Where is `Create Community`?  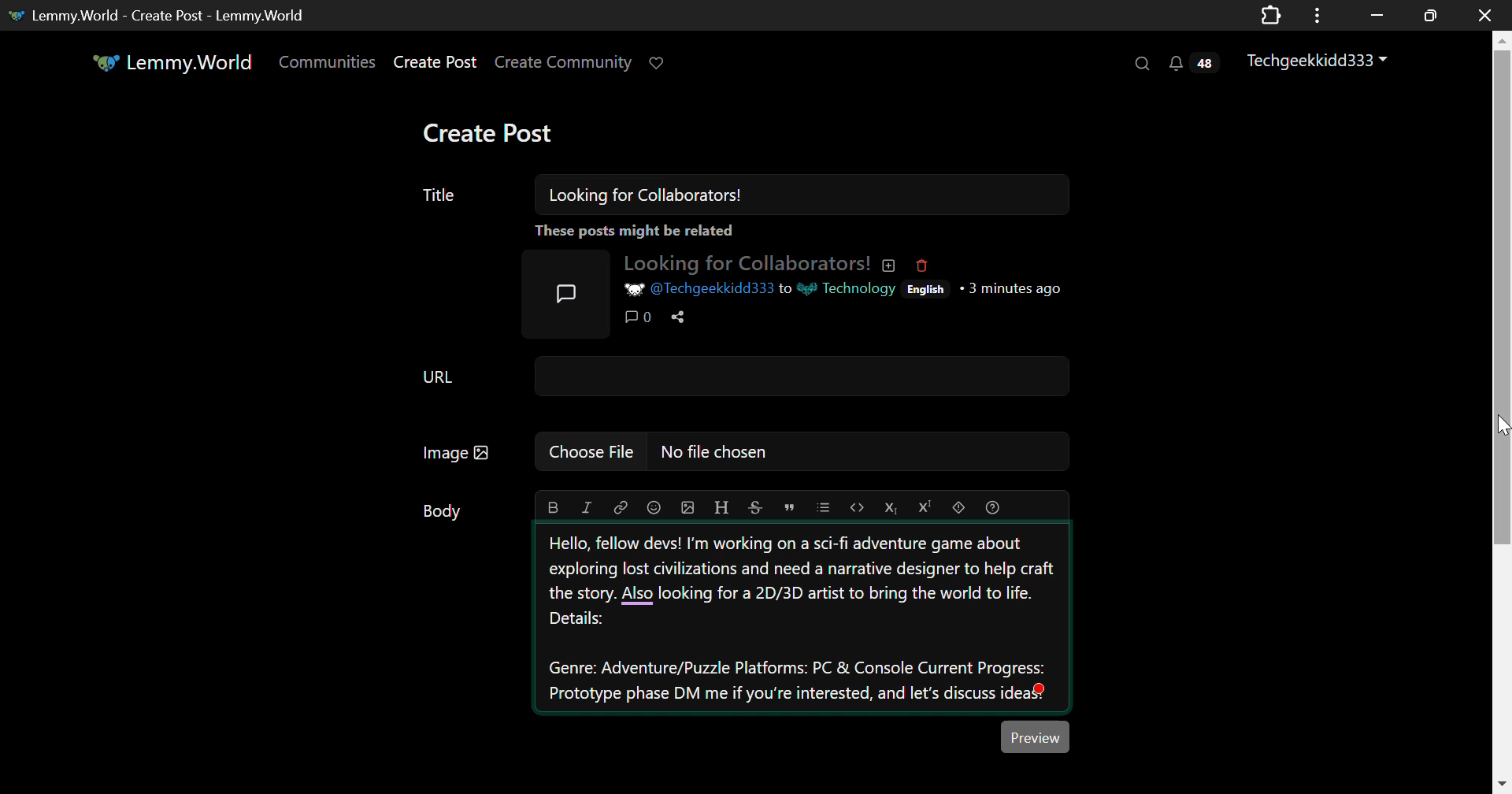
Create Community is located at coordinates (566, 63).